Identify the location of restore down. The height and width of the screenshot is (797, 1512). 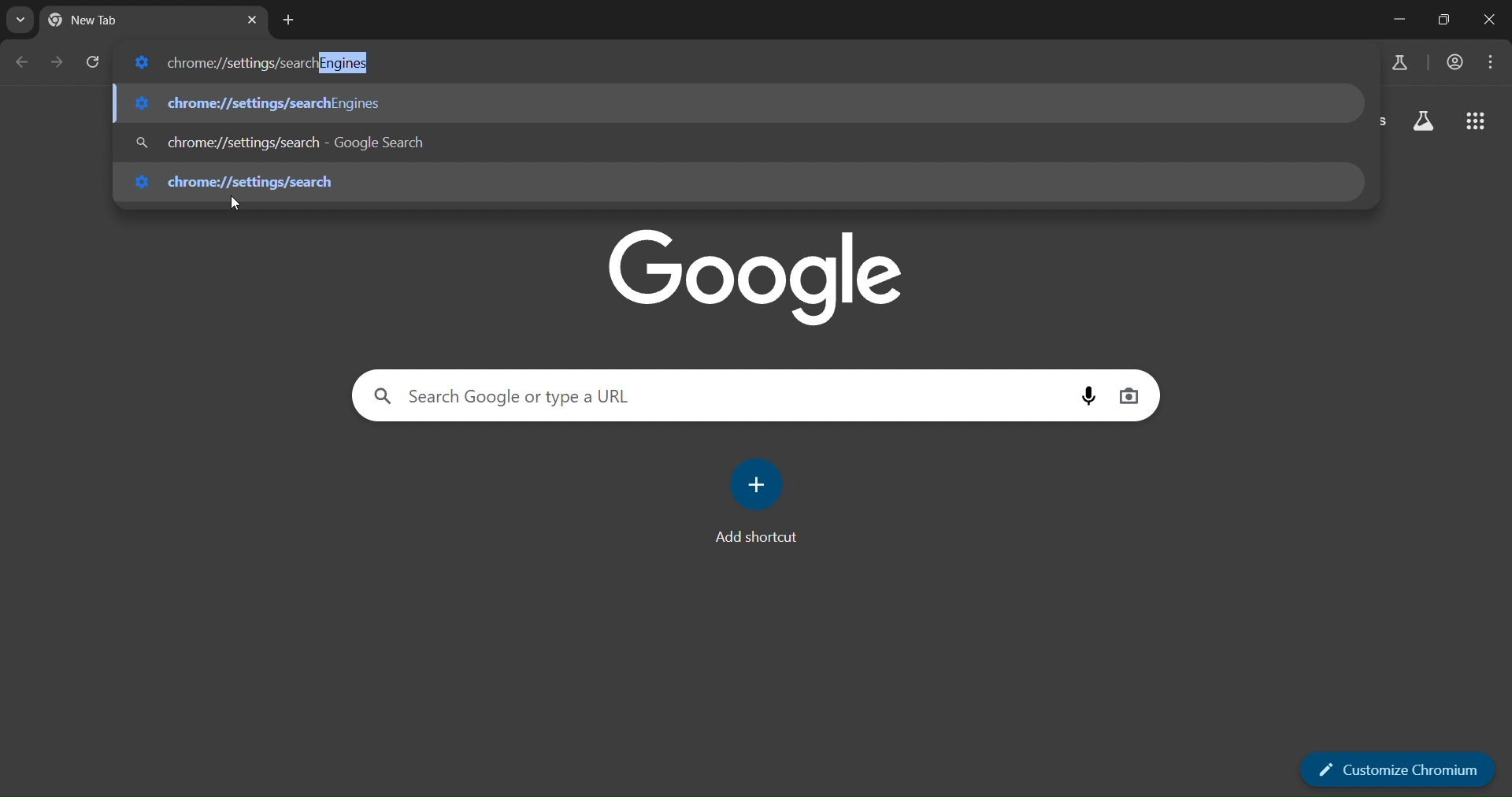
(1444, 21).